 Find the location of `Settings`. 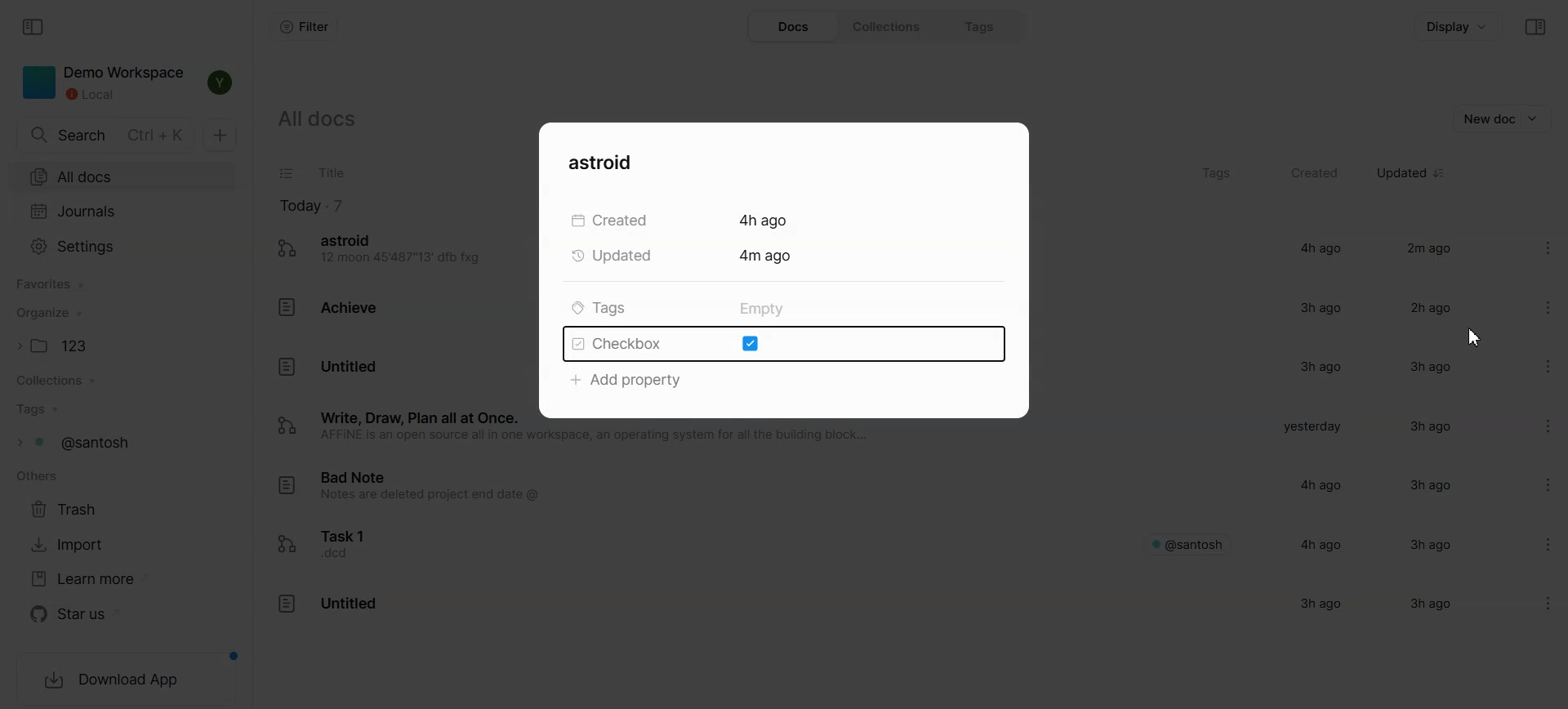

Settings is located at coordinates (1533, 486).